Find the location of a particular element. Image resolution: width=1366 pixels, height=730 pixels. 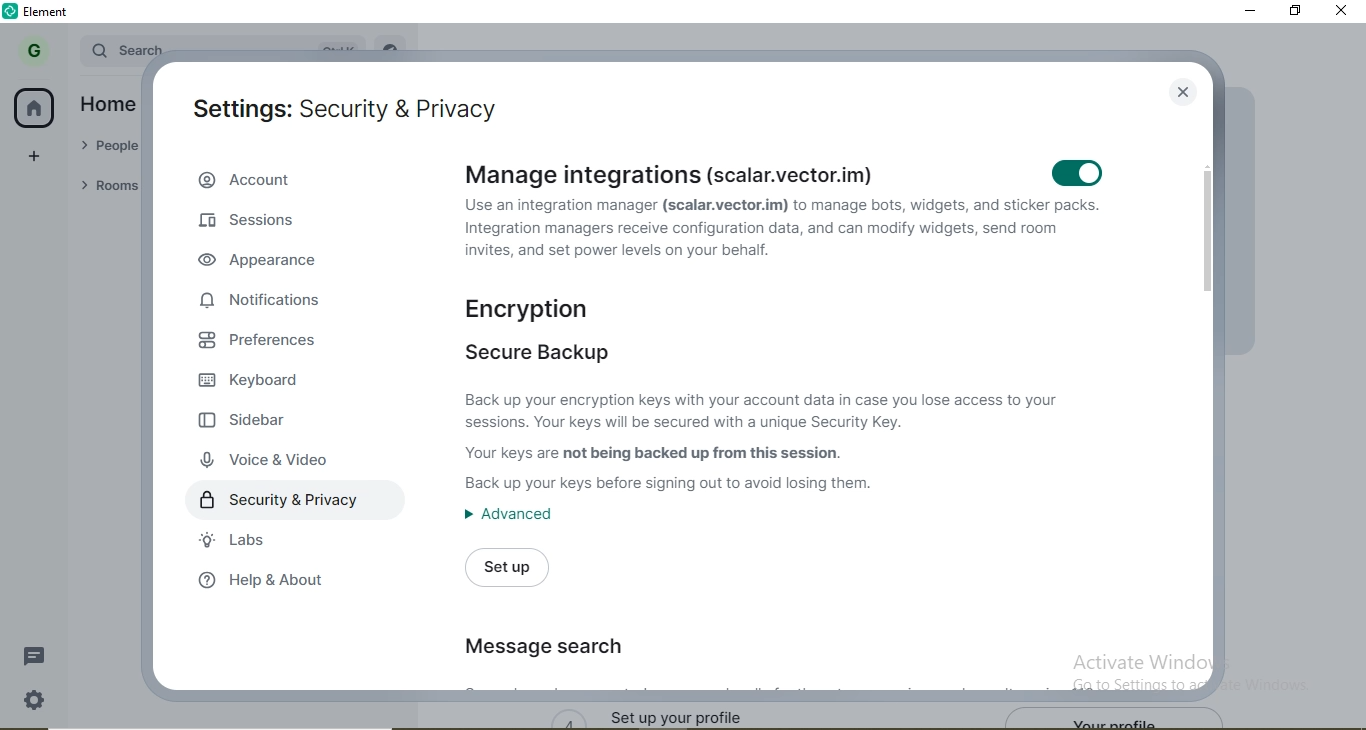

scroll bar is located at coordinates (1204, 418).